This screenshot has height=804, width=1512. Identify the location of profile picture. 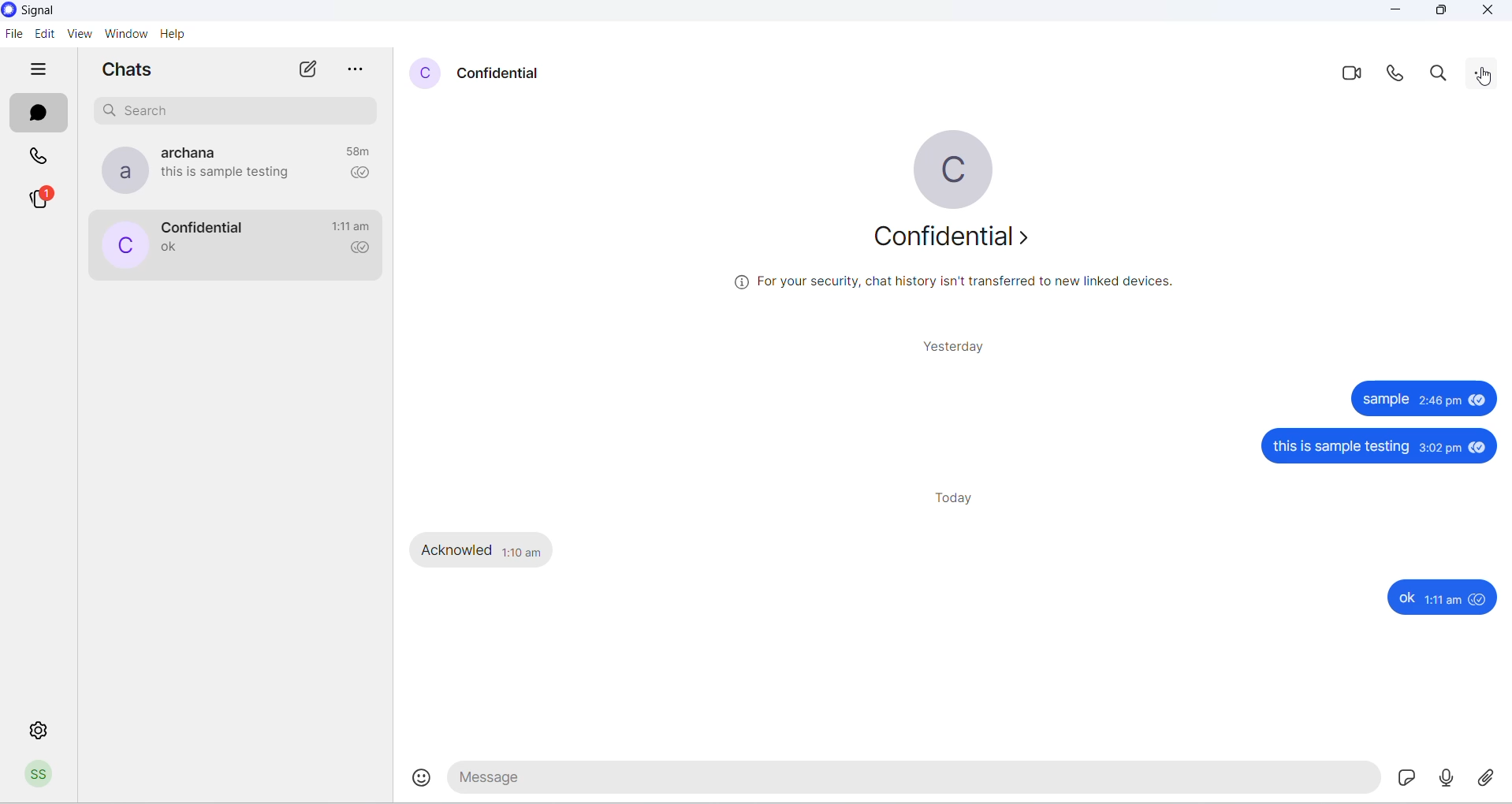
(959, 168).